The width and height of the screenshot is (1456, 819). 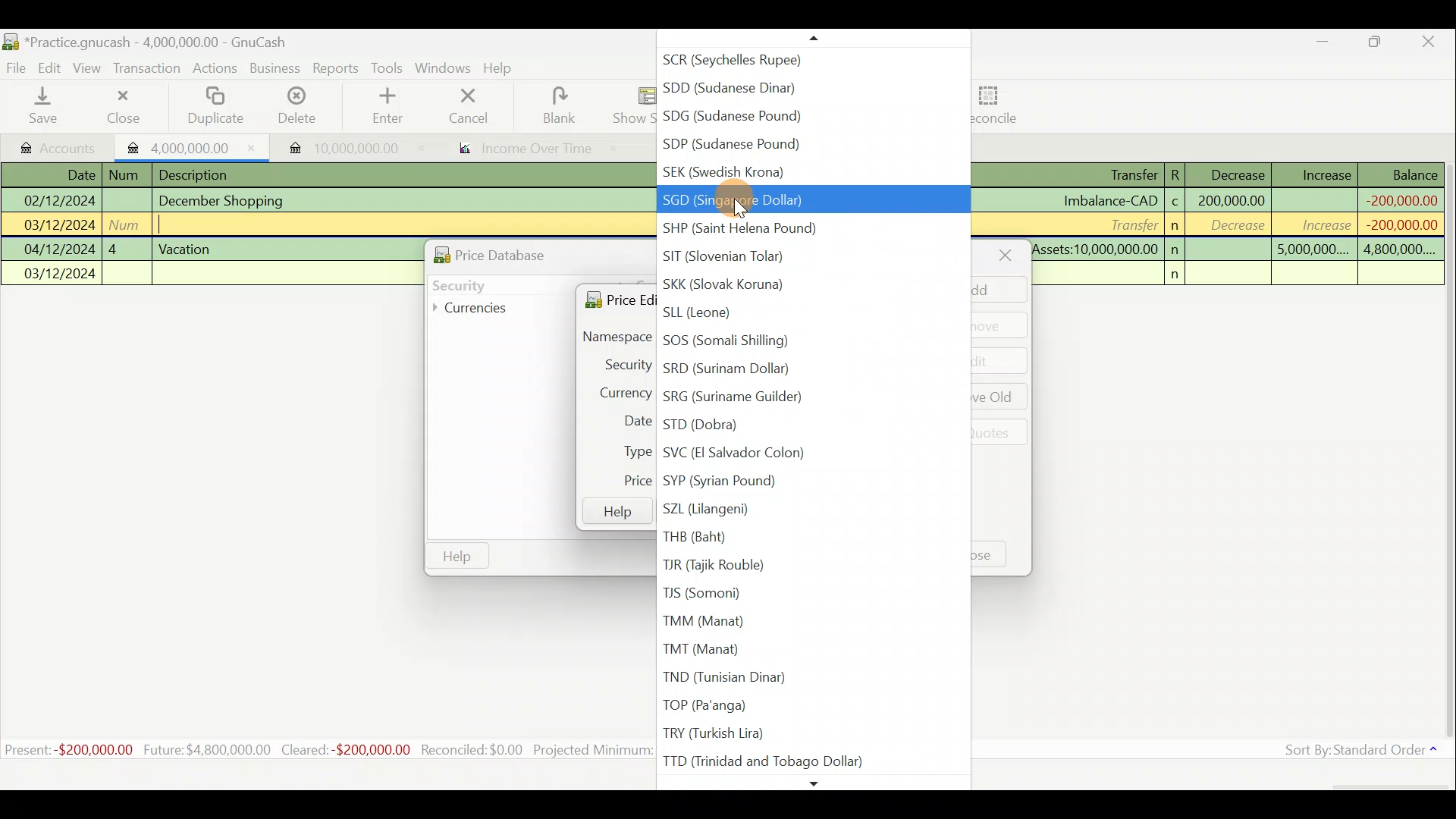 What do you see at coordinates (335, 68) in the screenshot?
I see `Reports` at bounding box center [335, 68].